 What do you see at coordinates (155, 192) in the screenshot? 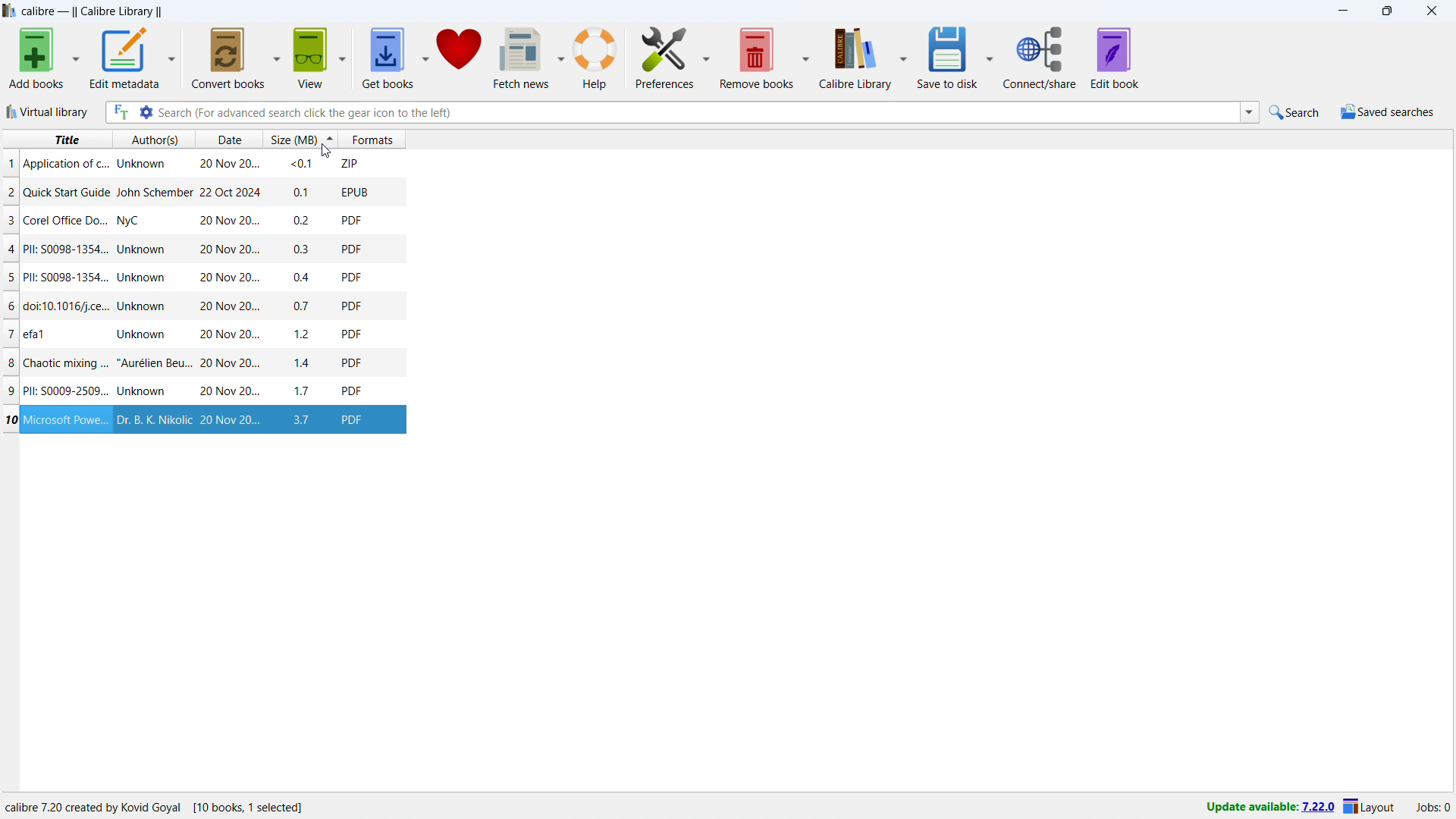
I see `author` at bounding box center [155, 192].